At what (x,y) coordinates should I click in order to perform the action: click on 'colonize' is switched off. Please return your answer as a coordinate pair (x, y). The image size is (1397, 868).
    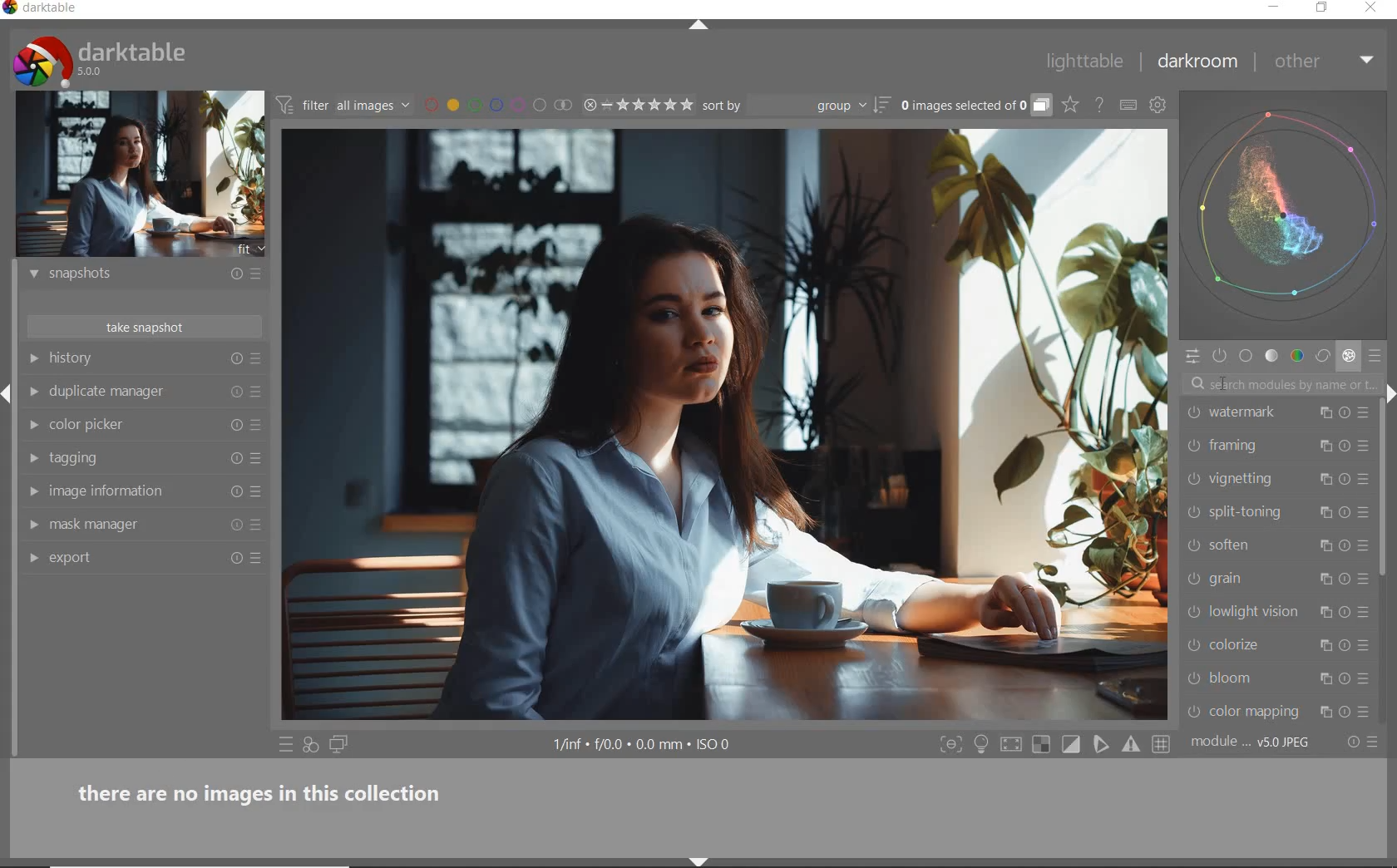
    Looking at the image, I should click on (1192, 645).